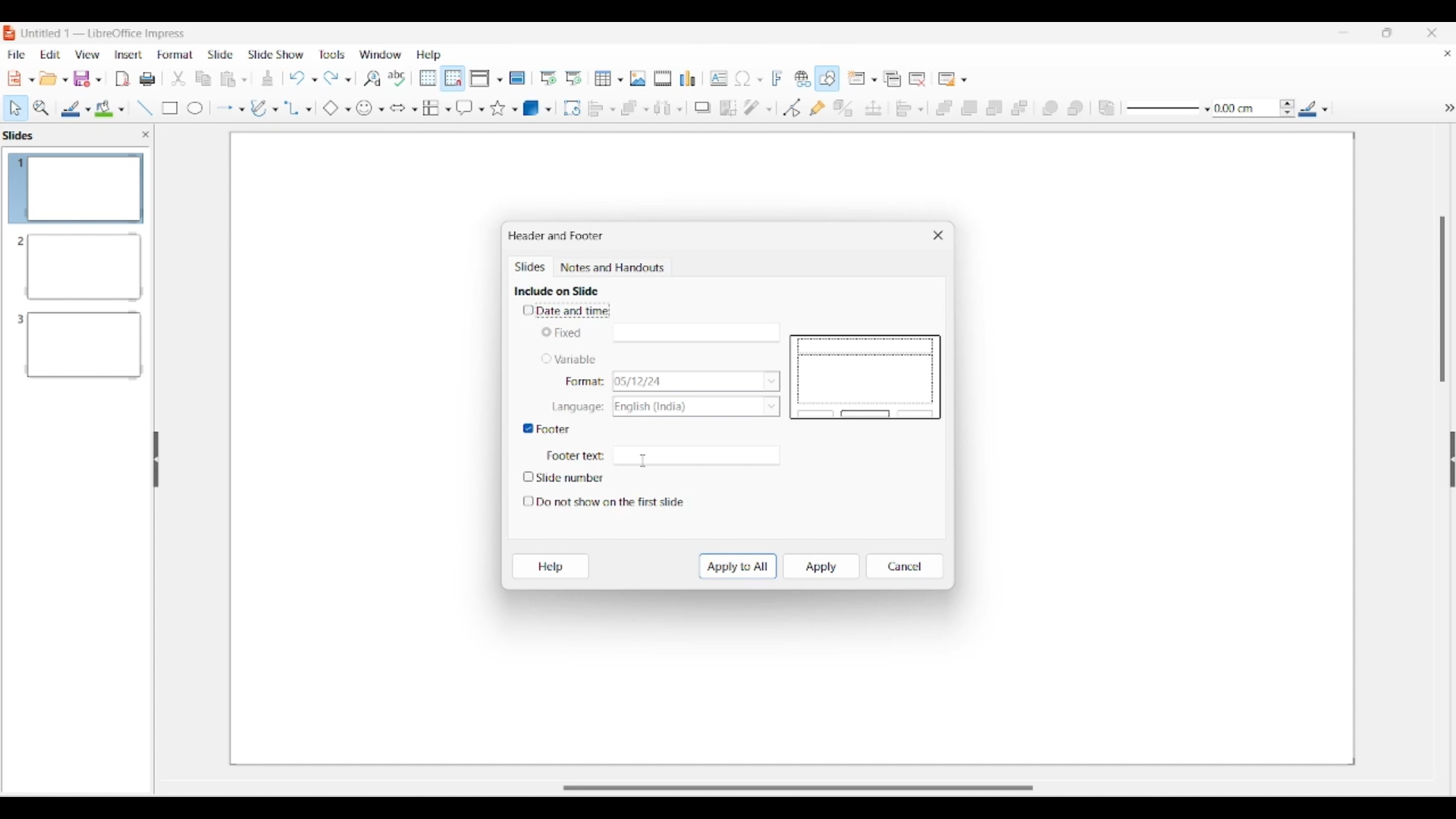 This screenshot has height=819, width=1456. What do you see at coordinates (71, 265) in the screenshot?
I see `Slide 2` at bounding box center [71, 265].